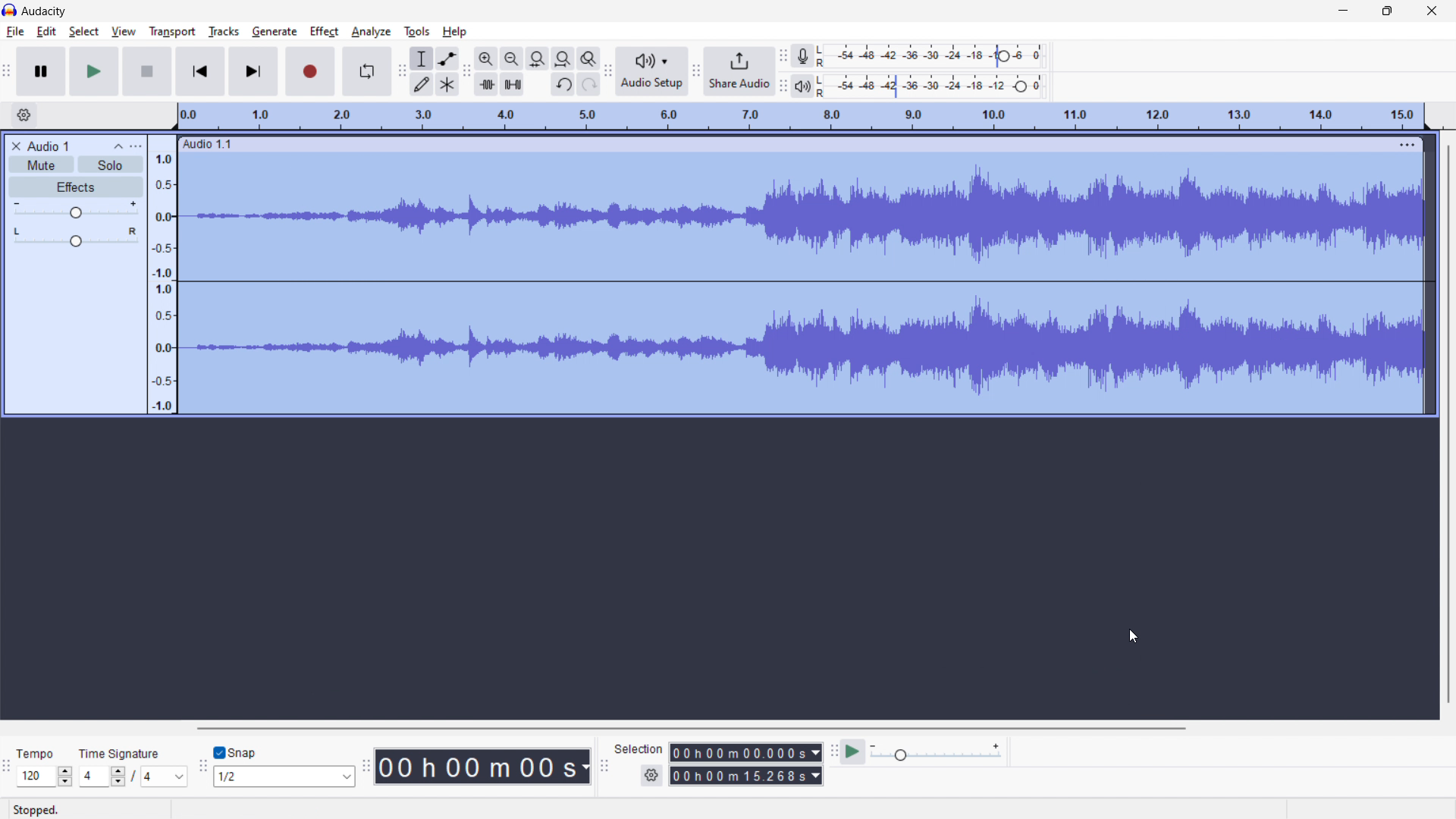 The width and height of the screenshot is (1456, 819). Describe the element at coordinates (1432, 10) in the screenshot. I see `close` at that location.